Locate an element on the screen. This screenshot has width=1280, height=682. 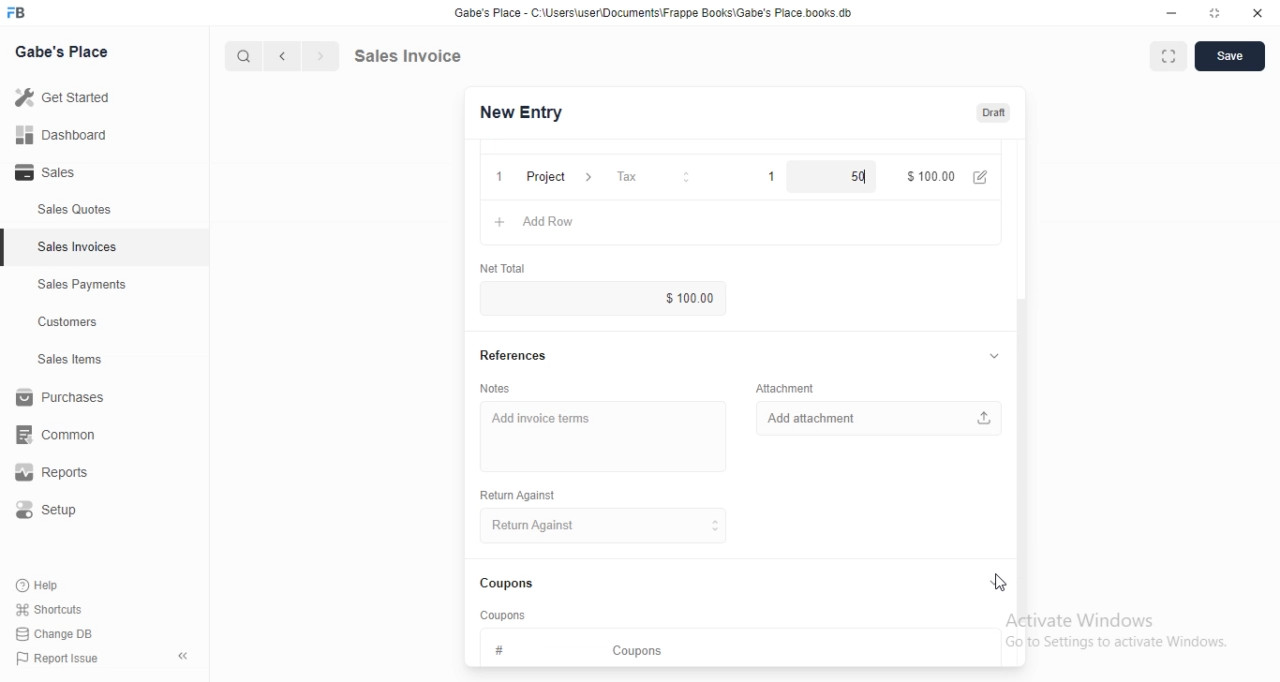
References is located at coordinates (515, 354).